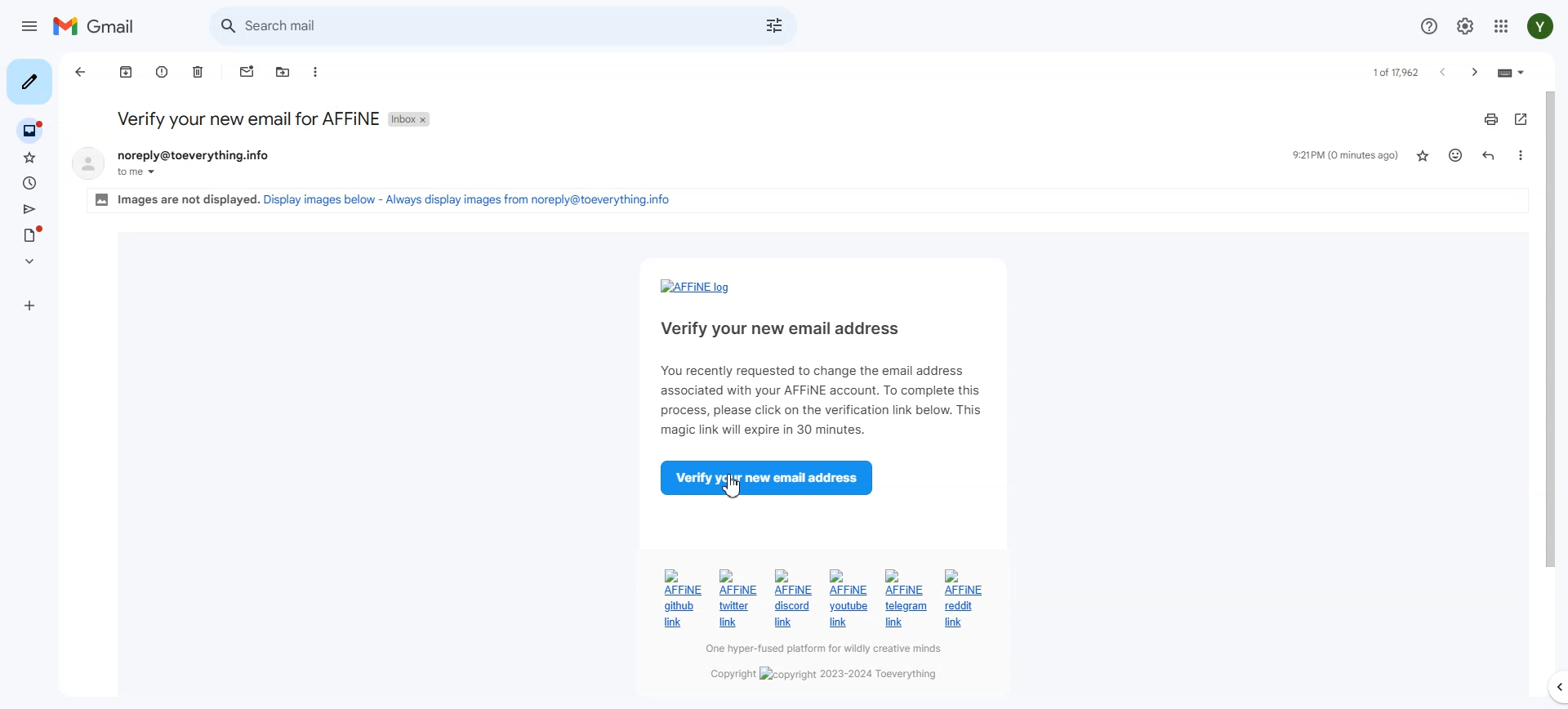  I want to click on More, so click(317, 73).